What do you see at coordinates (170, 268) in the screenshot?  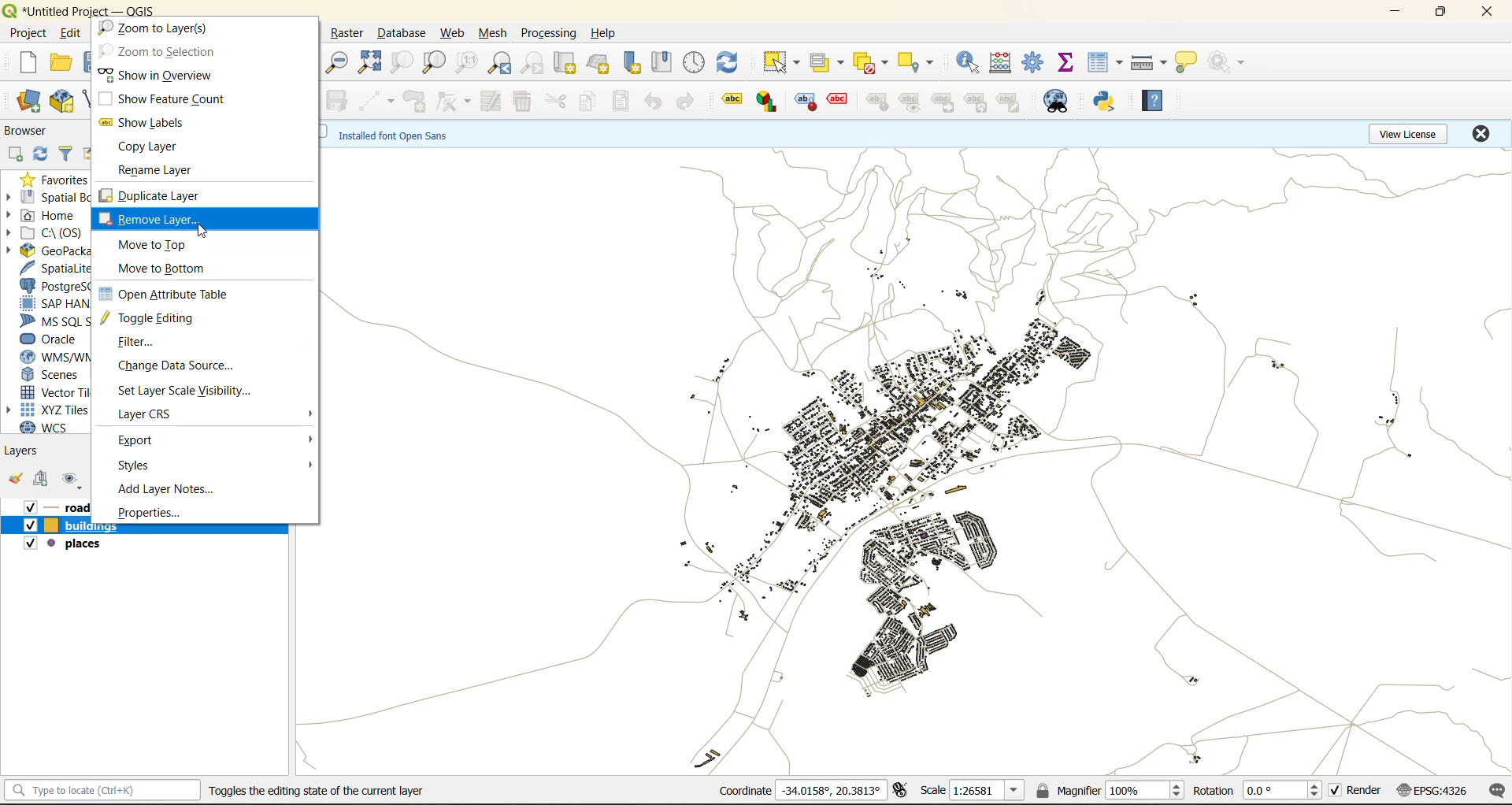 I see `move to bottom` at bounding box center [170, 268].